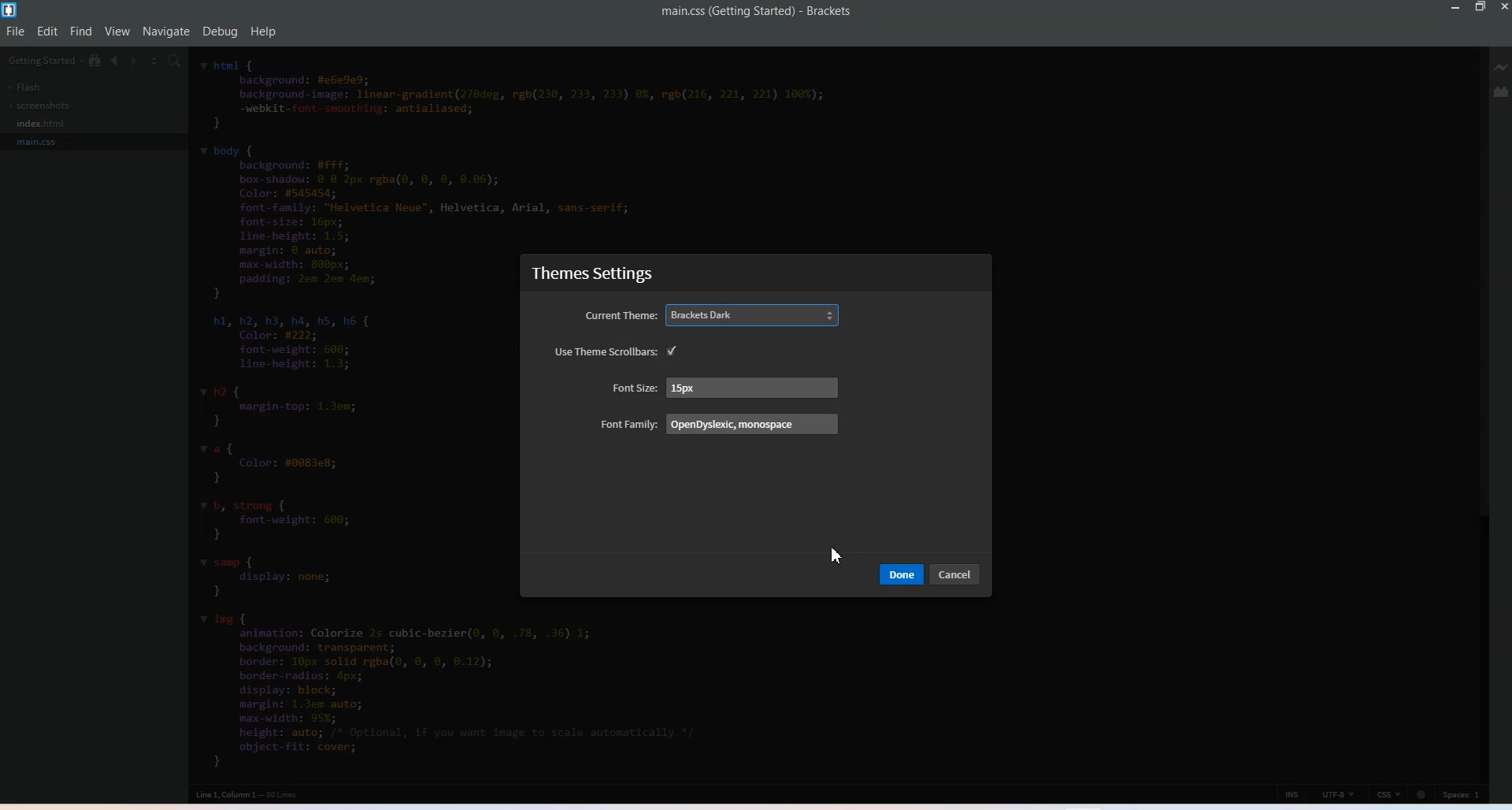 The width and height of the screenshot is (1512, 810). What do you see at coordinates (958, 574) in the screenshot?
I see `cancel` at bounding box center [958, 574].